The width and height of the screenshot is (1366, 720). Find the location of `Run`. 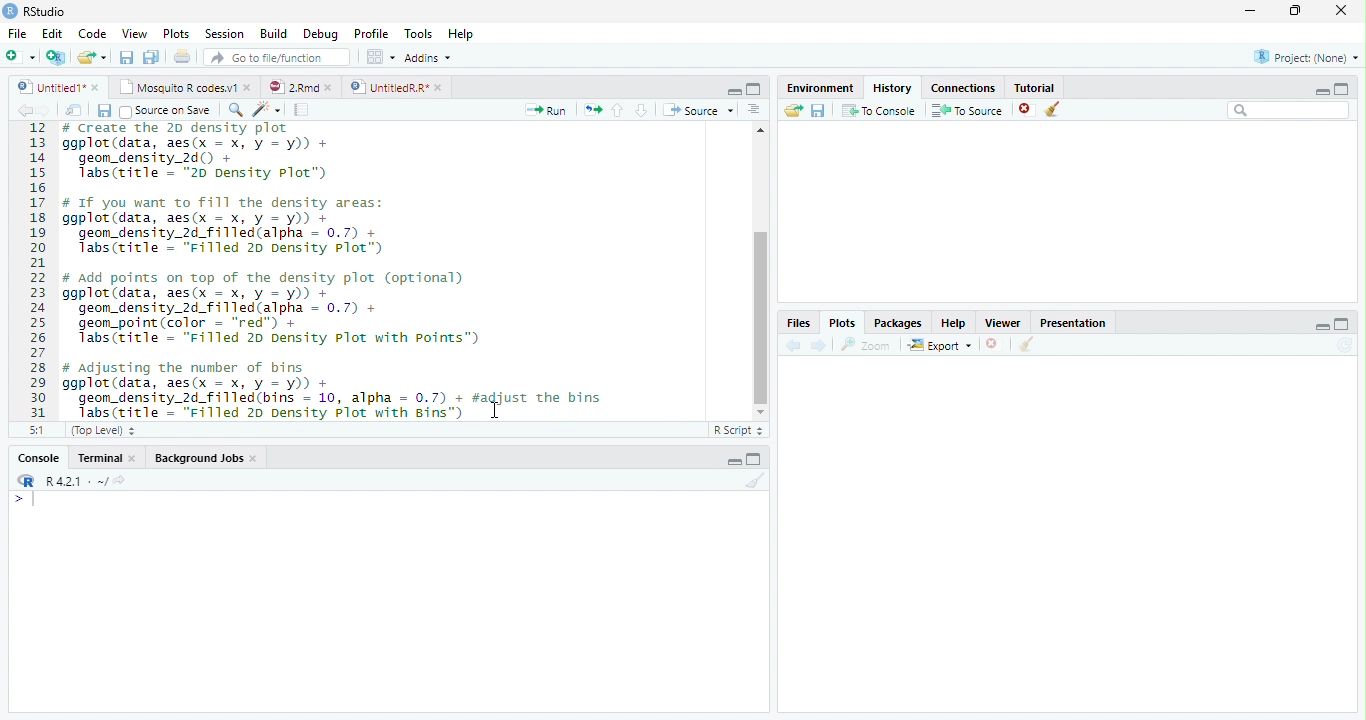

Run is located at coordinates (543, 111).